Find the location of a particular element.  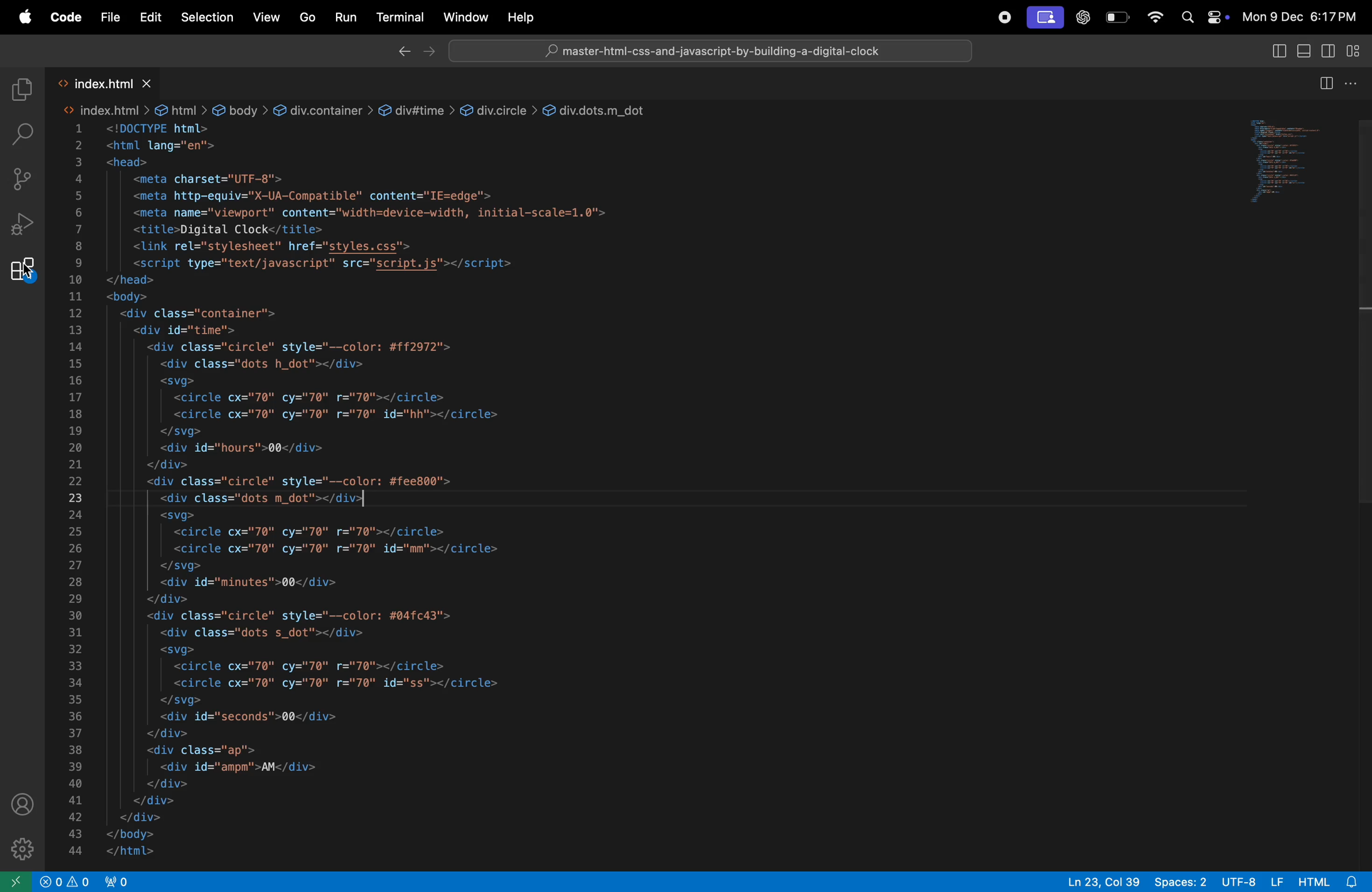

forward is located at coordinates (429, 50).